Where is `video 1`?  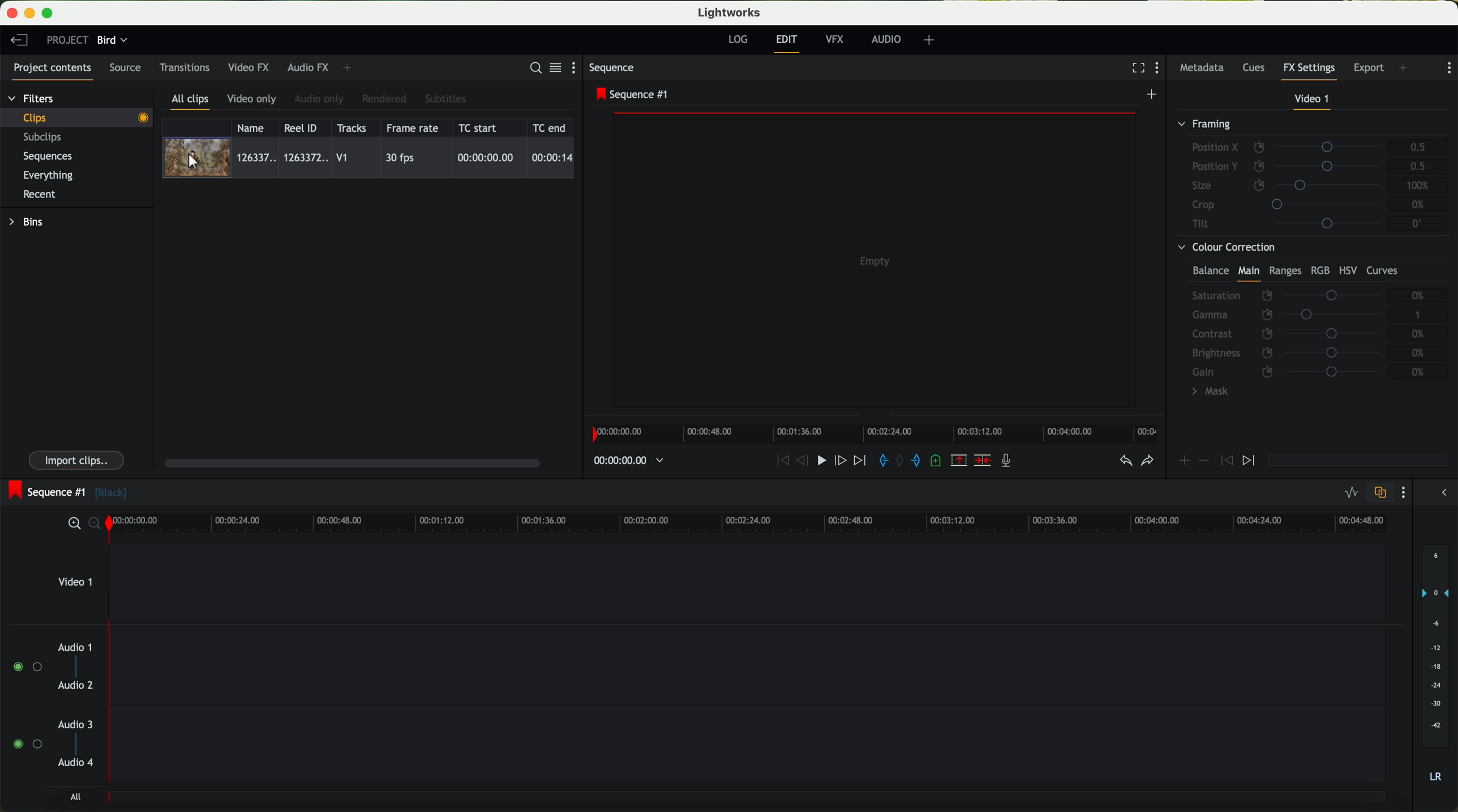 video 1 is located at coordinates (73, 581).